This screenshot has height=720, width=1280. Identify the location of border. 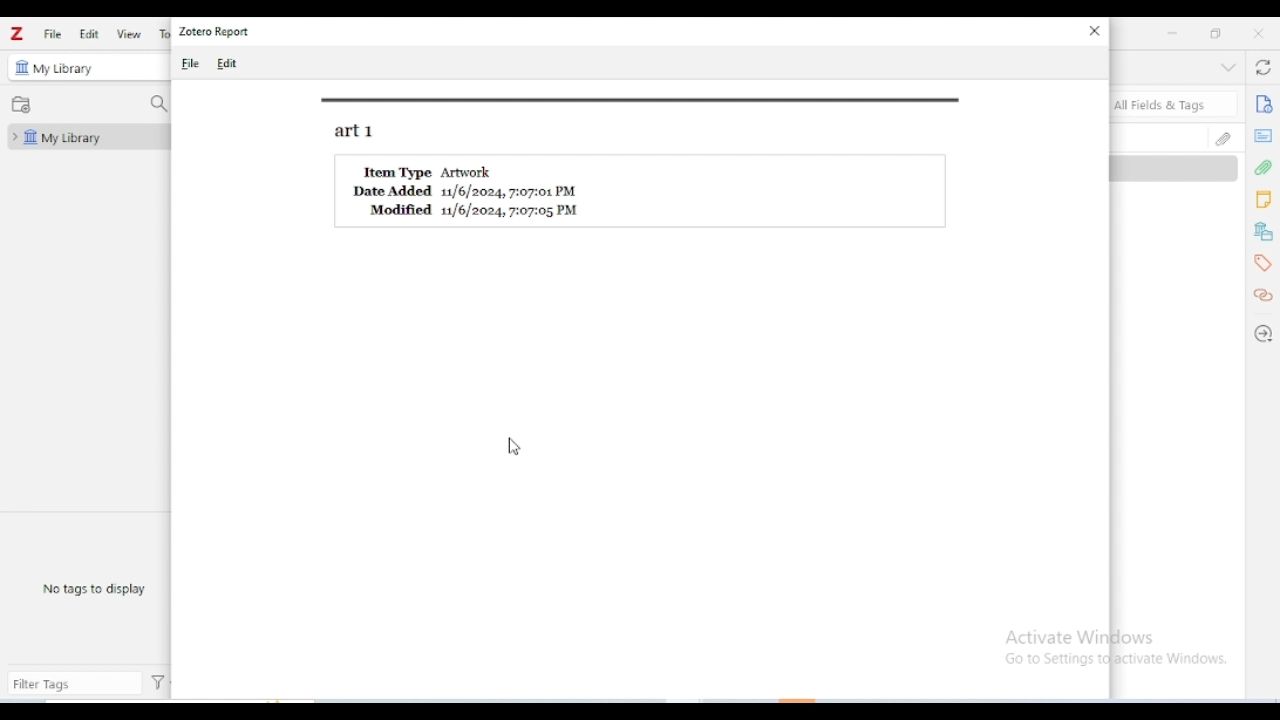
(643, 100).